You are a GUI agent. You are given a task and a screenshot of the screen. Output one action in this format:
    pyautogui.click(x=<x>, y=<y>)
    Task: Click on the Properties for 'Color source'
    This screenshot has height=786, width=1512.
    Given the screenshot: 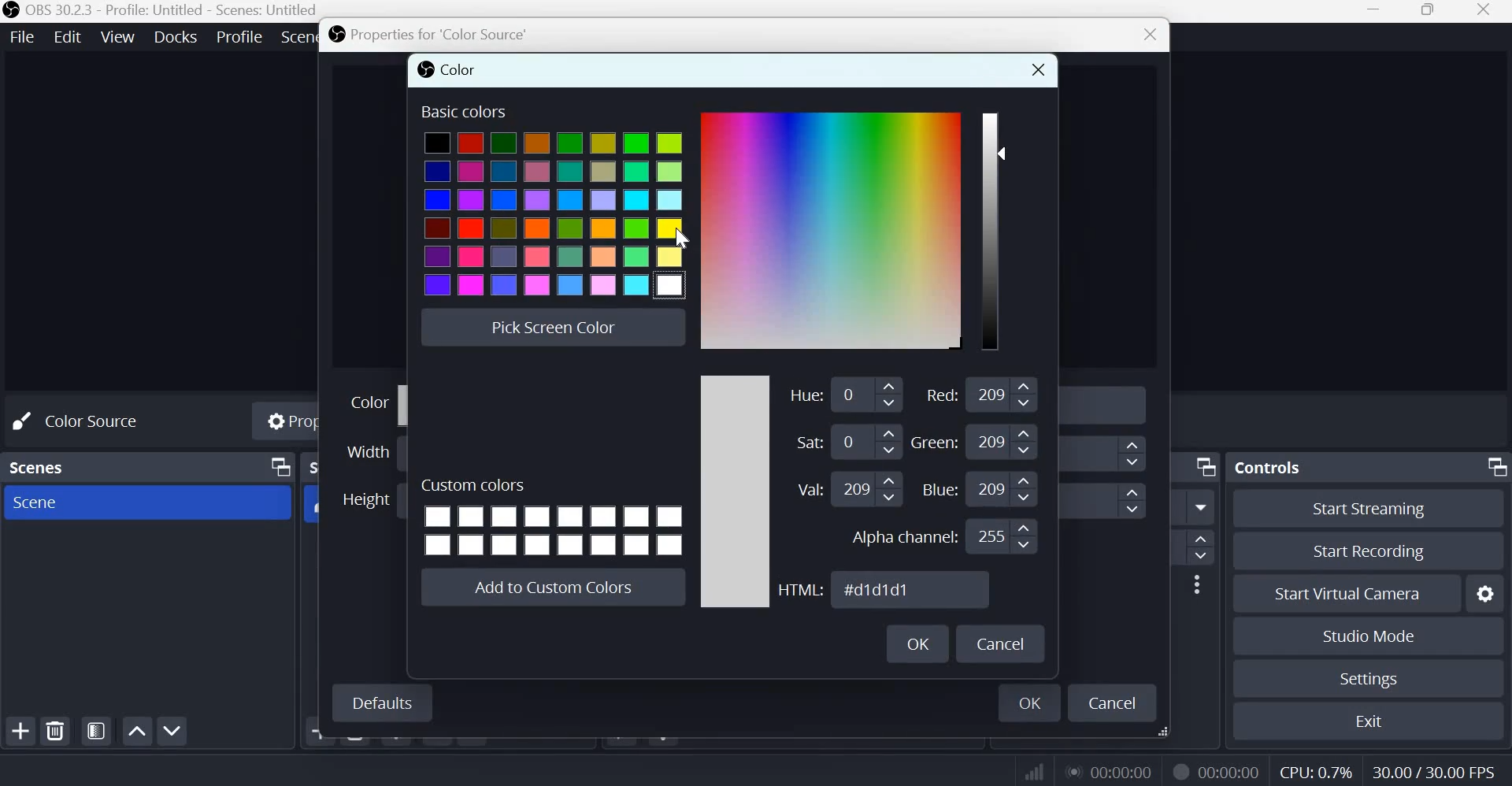 What is the action you would take?
    pyautogui.click(x=428, y=36)
    